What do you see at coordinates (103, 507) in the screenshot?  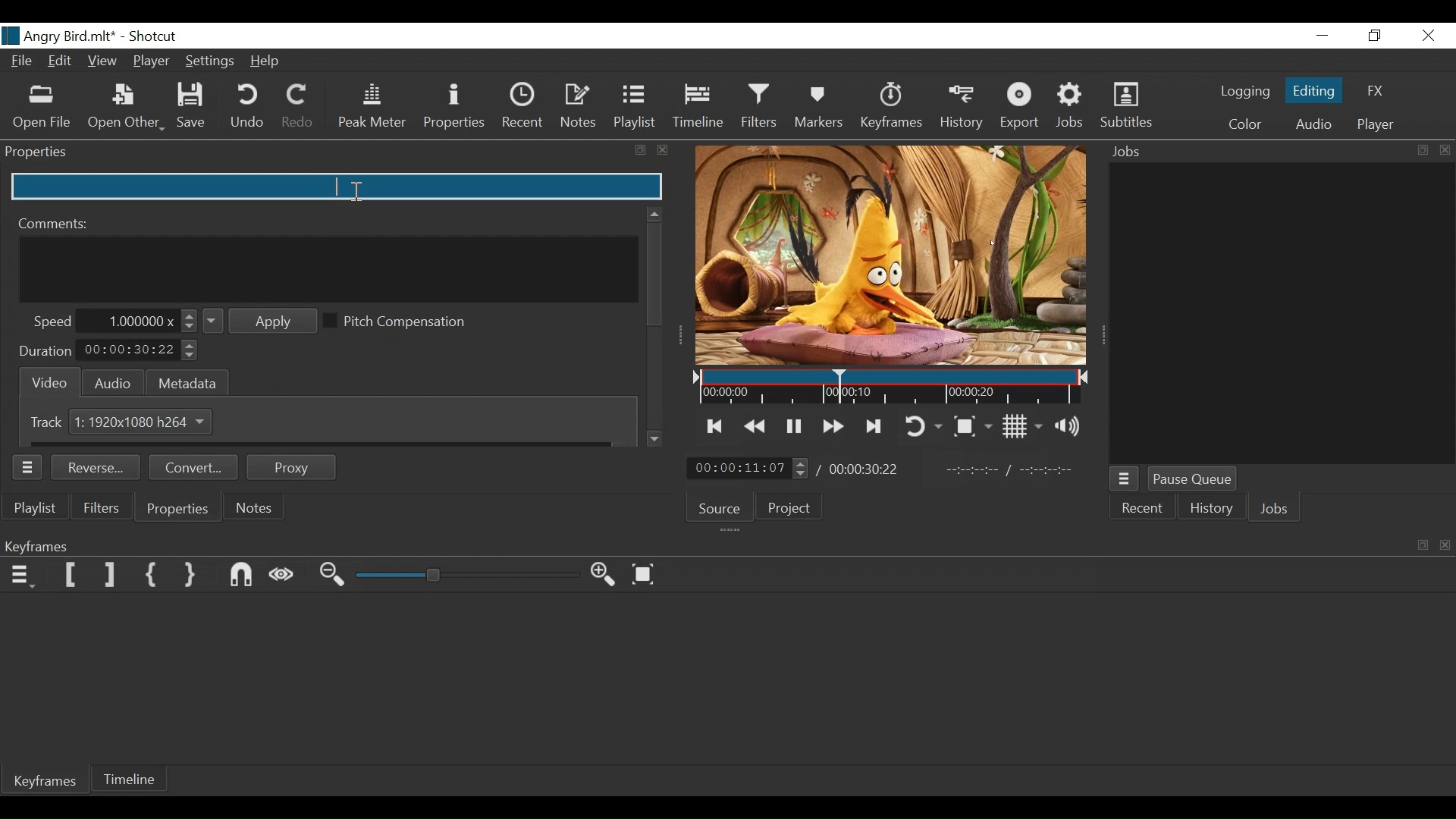 I see `Filters` at bounding box center [103, 507].